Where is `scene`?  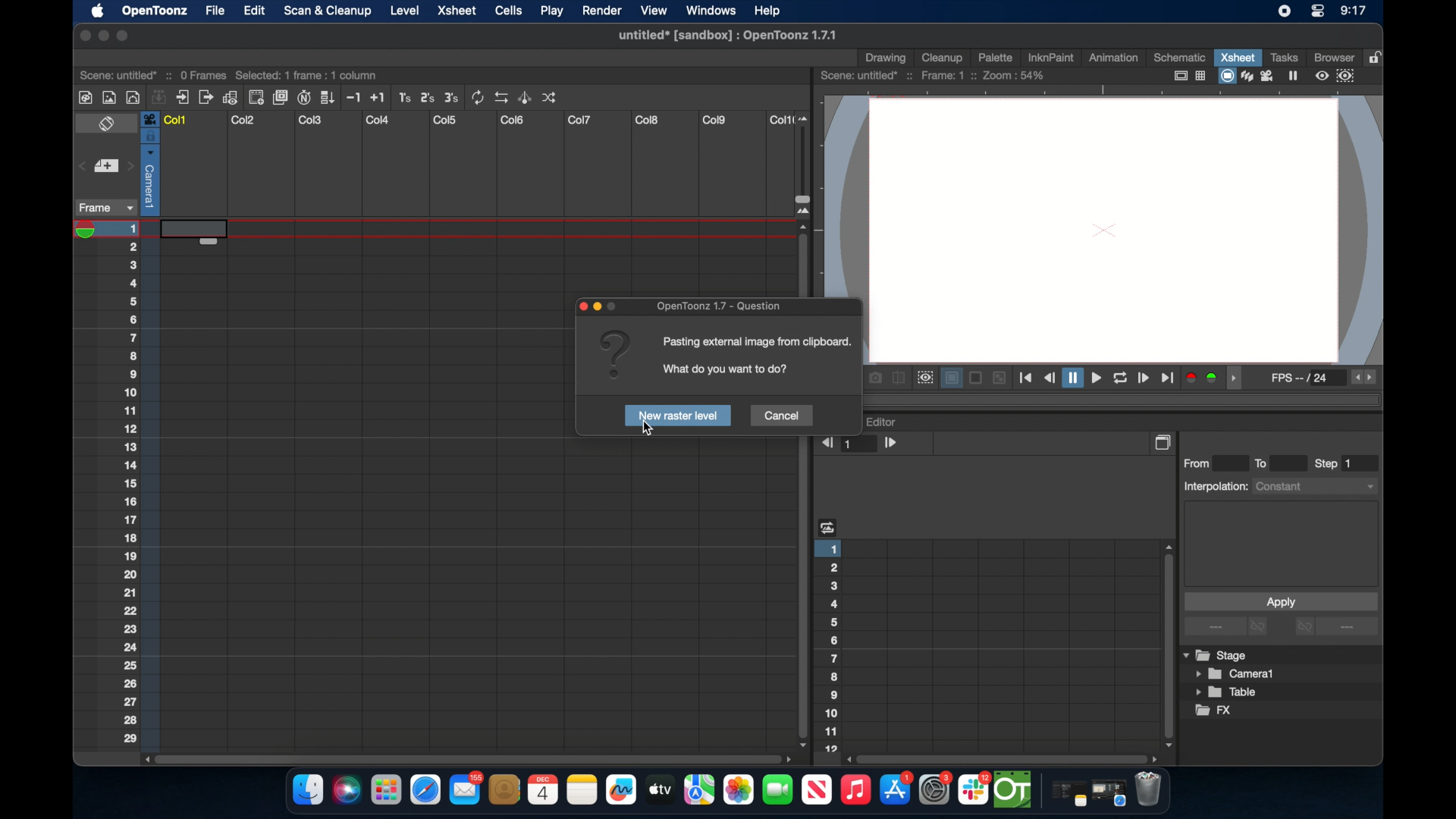 scene is located at coordinates (155, 74).